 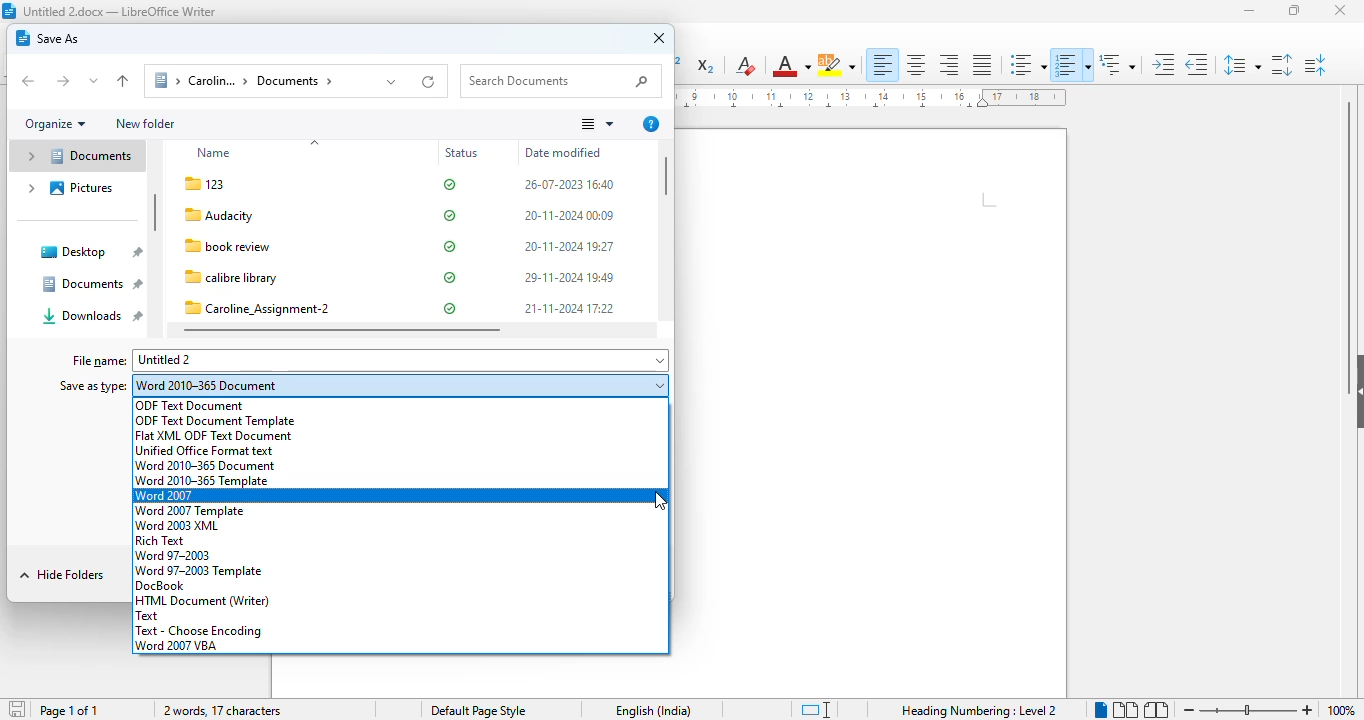 I want to click on vertical scroll bar, so click(x=155, y=213).